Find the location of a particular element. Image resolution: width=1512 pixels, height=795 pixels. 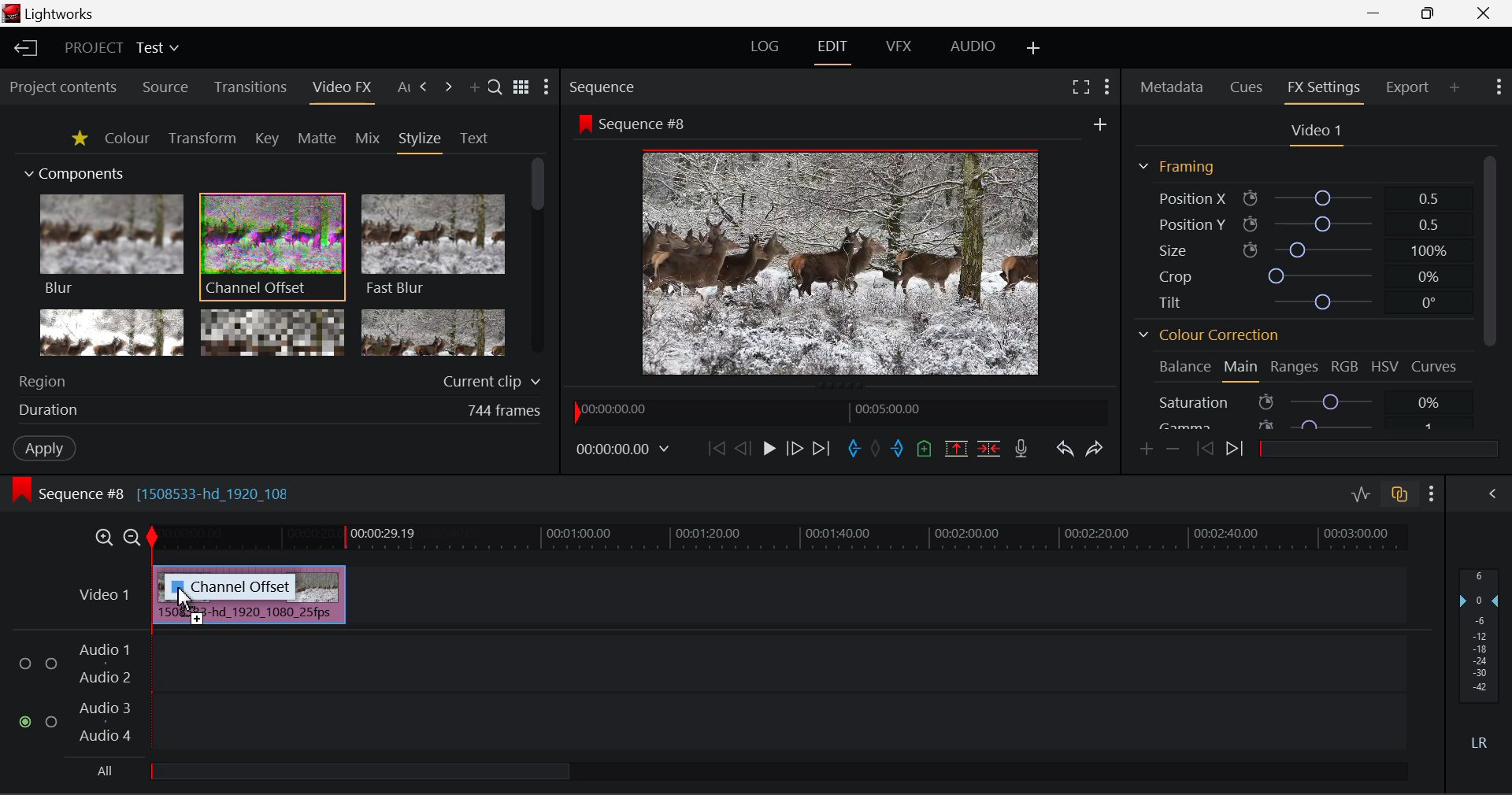

Transitions is located at coordinates (249, 87).